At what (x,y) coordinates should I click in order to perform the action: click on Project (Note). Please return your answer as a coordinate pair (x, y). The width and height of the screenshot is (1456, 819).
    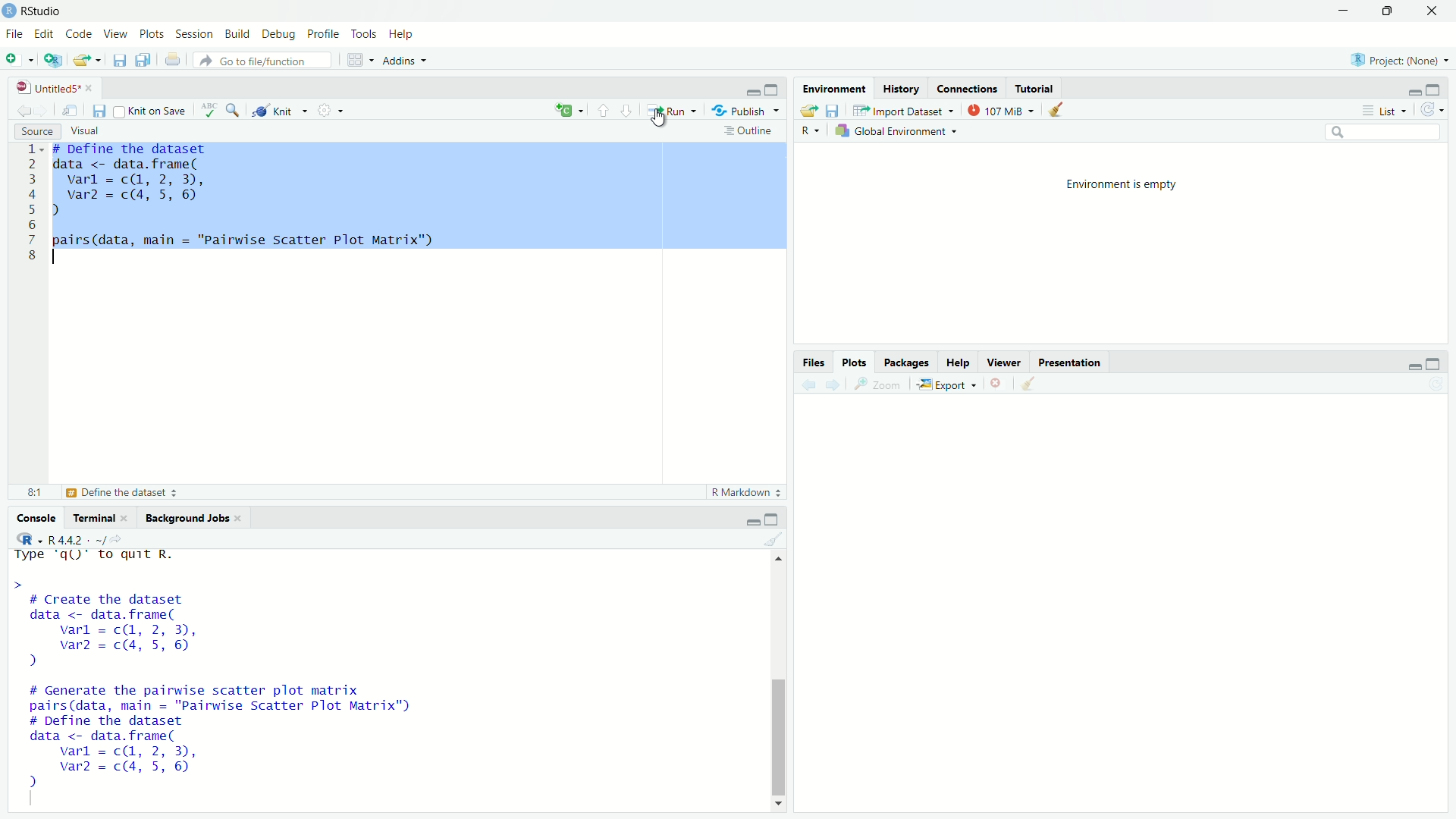
    Looking at the image, I should click on (1400, 60).